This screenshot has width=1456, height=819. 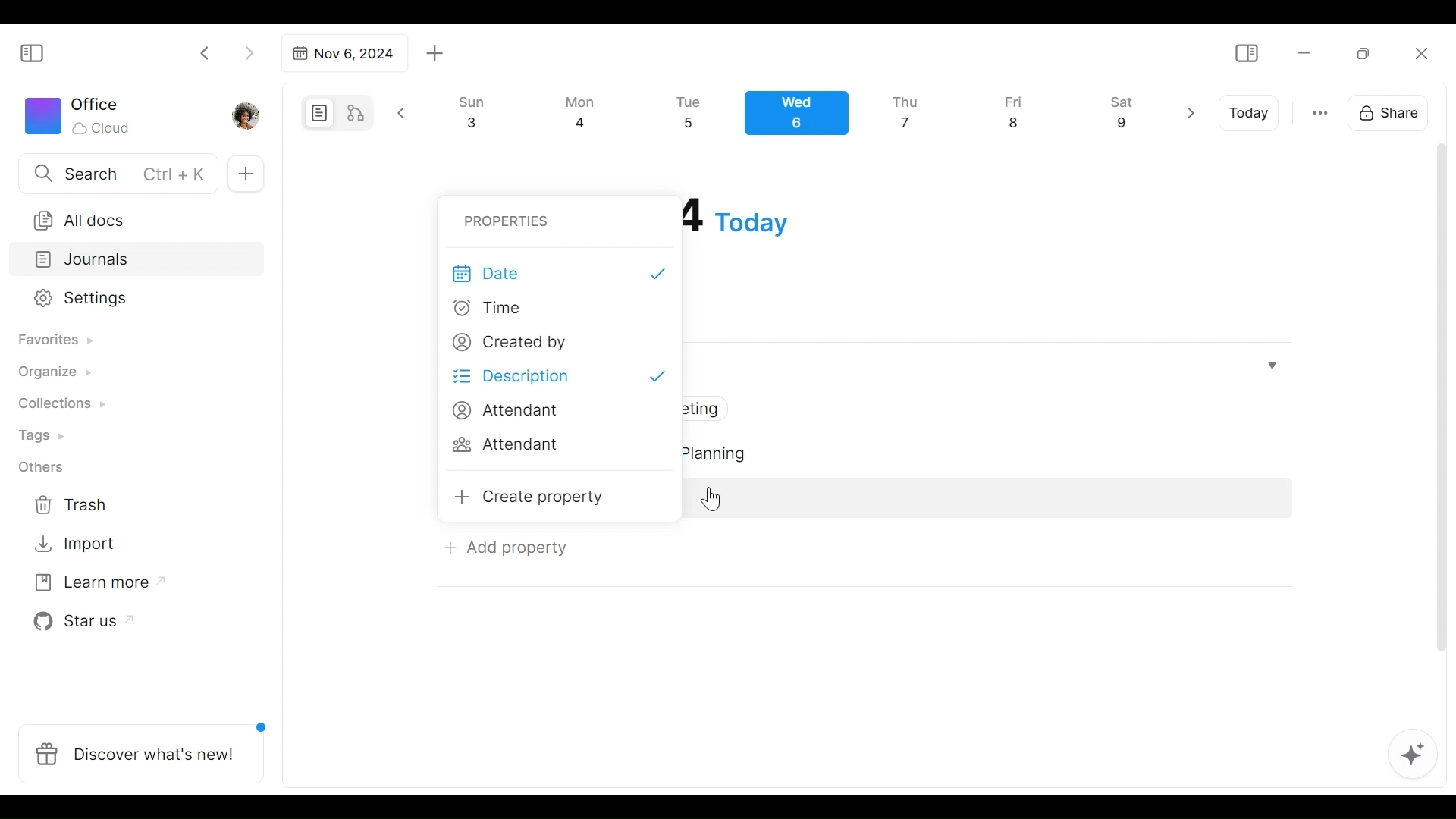 What do you see at coordinates (1250, 113) in the screenshot?
I see `Today` at bounding box center [1250, 113].